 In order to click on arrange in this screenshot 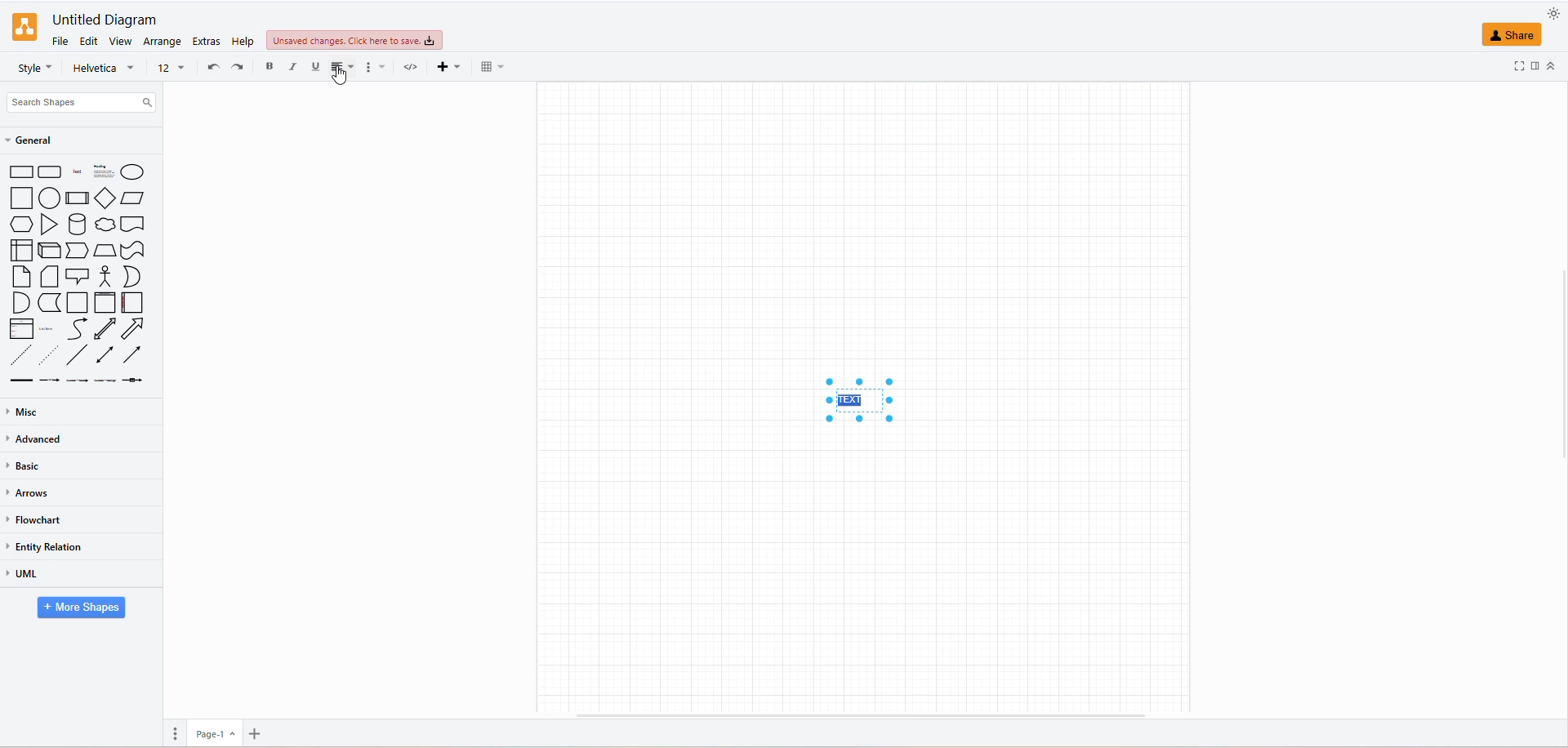, I will do `click(164, 41)`.